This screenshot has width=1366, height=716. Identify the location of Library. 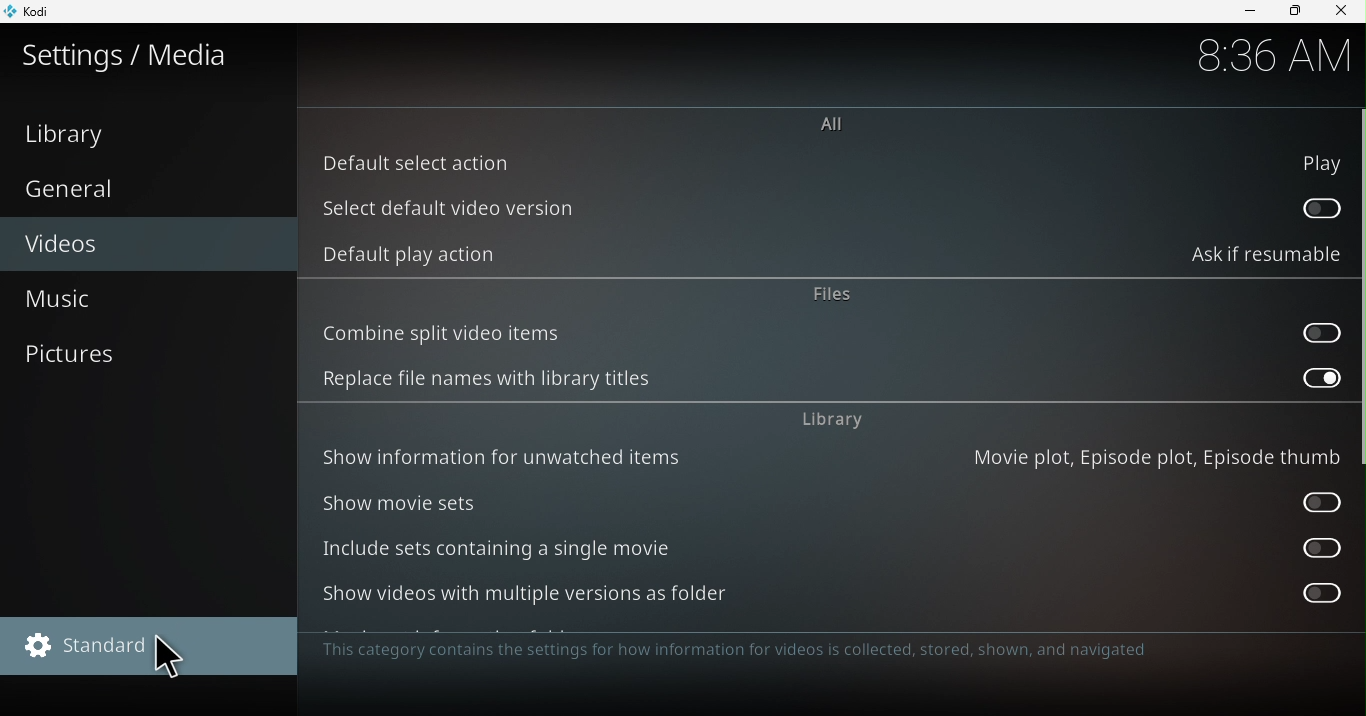
(828, 417).